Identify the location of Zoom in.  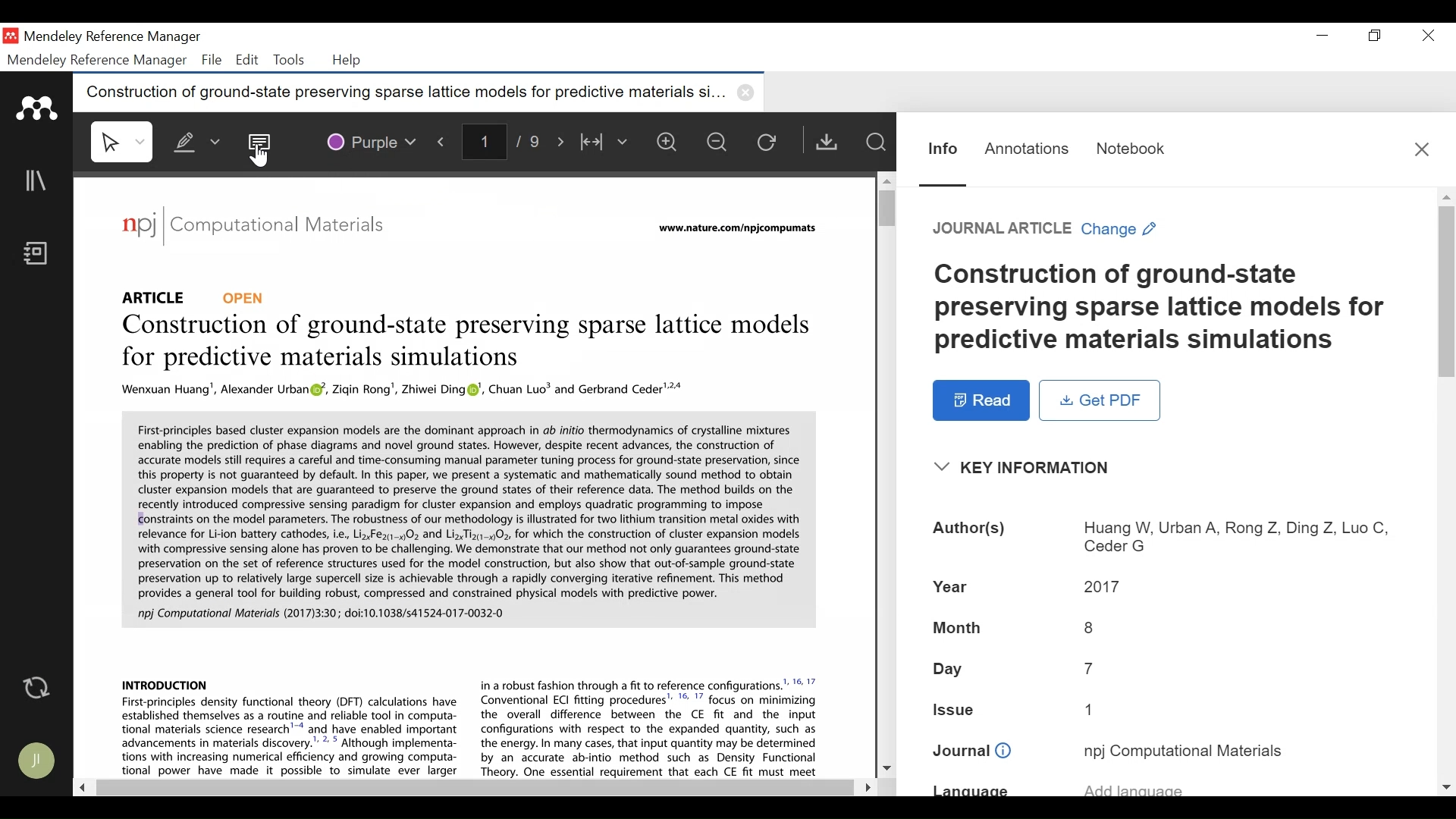
(670, 143).